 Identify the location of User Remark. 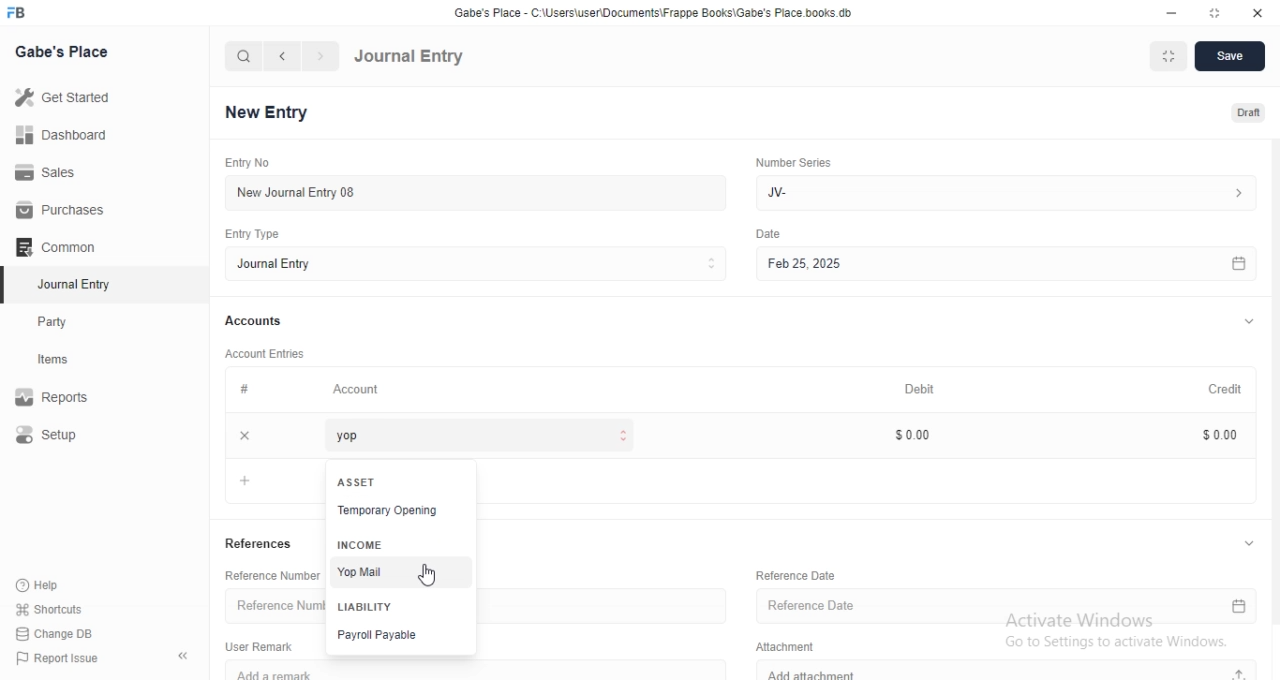
(259, 646).